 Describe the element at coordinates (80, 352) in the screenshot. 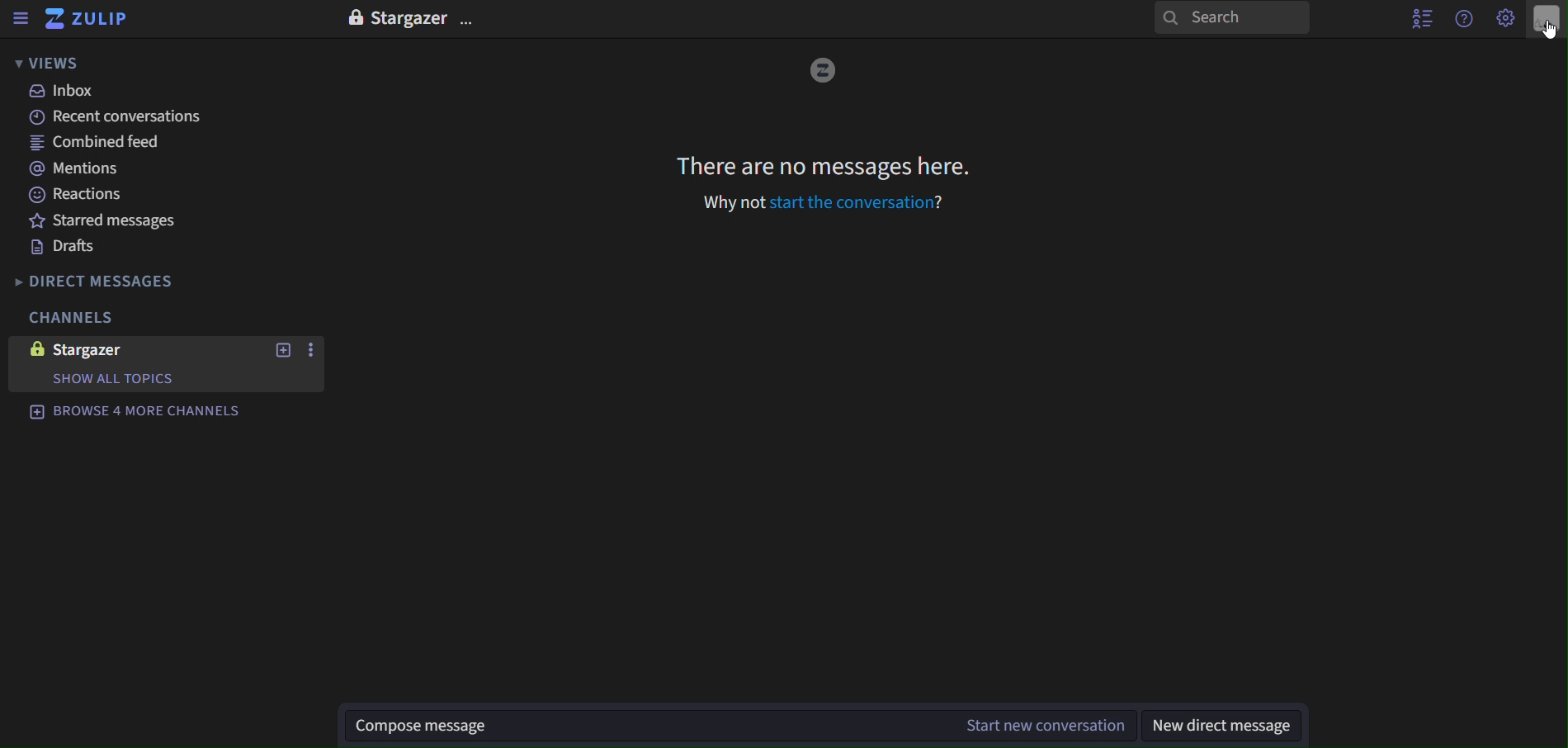

I see `stargazer` at that location.